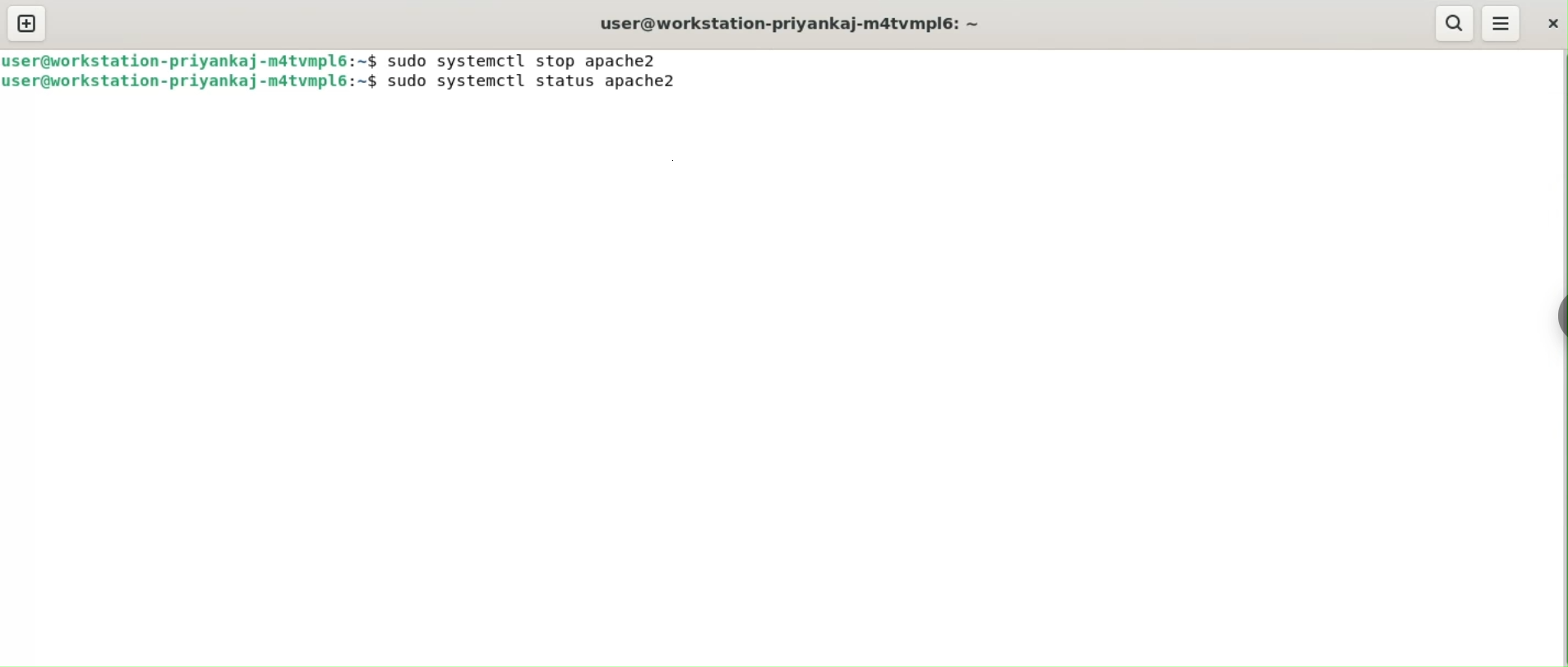 The width and height of the screenshot is (1568, 667). What do you see at coordinates (27, 23) in the screenshot?
I see `new tab` at bounding box center [27, 23].